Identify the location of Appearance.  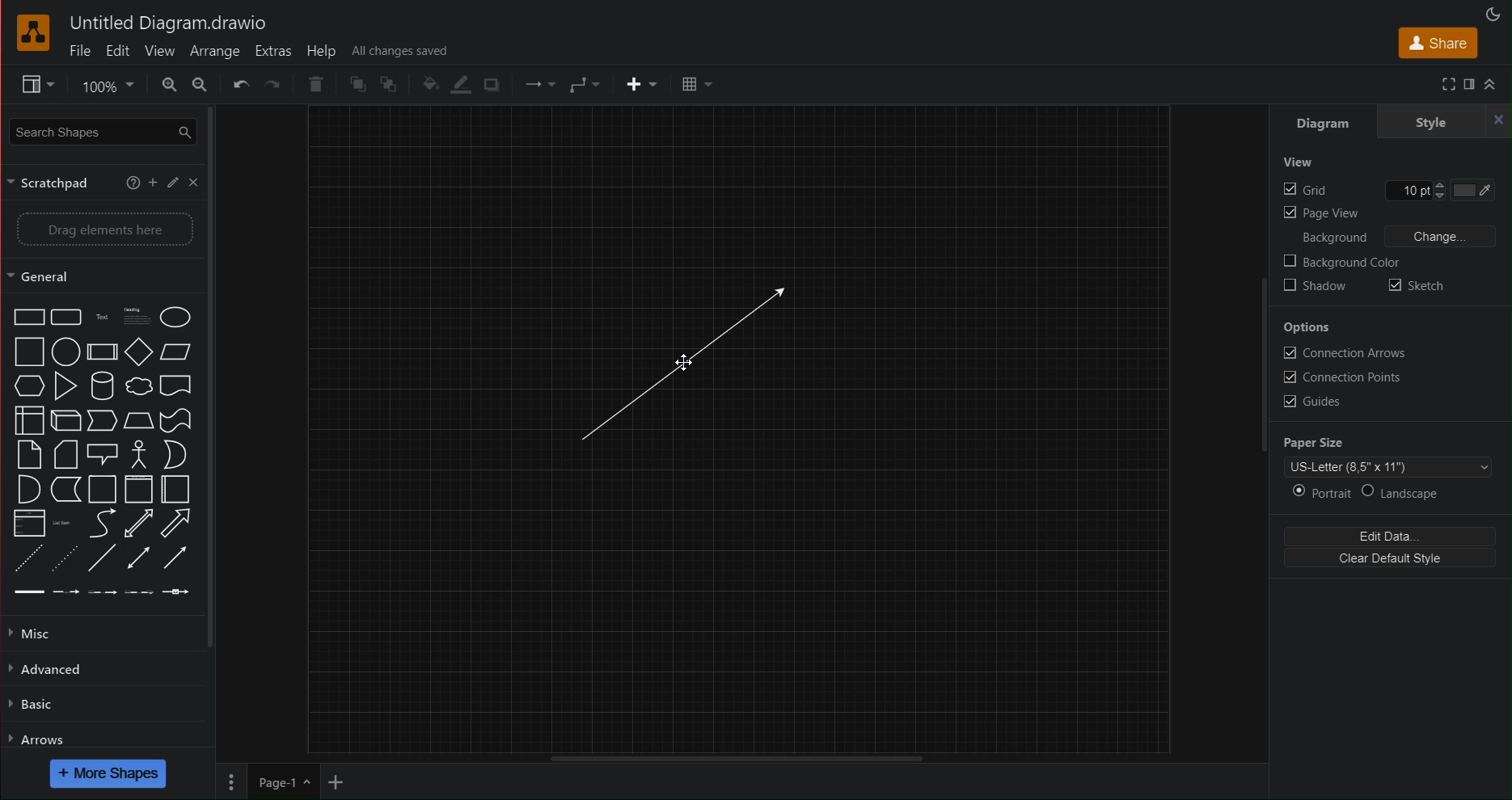
(1497, 11).